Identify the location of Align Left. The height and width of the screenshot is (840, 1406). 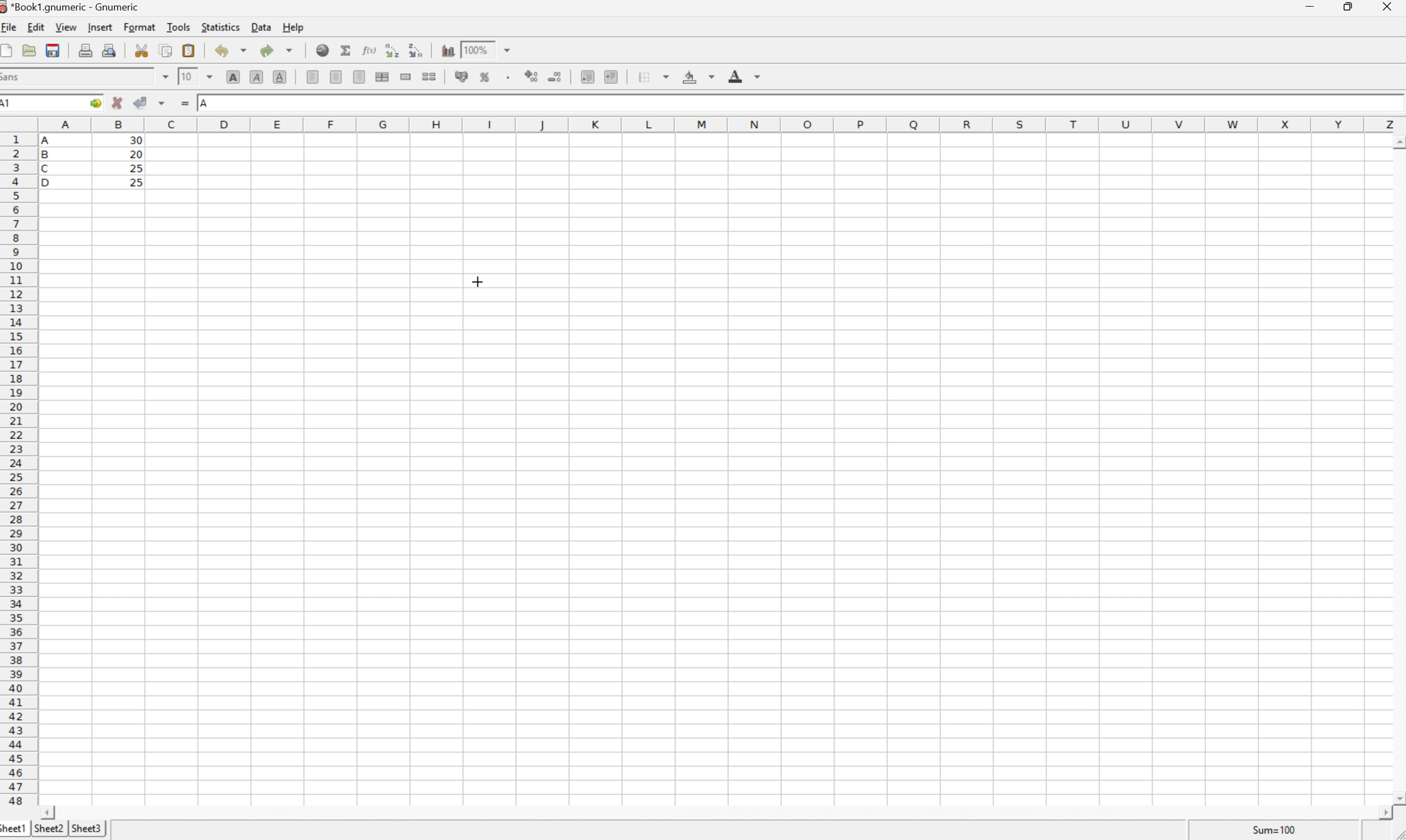
(313, 78).